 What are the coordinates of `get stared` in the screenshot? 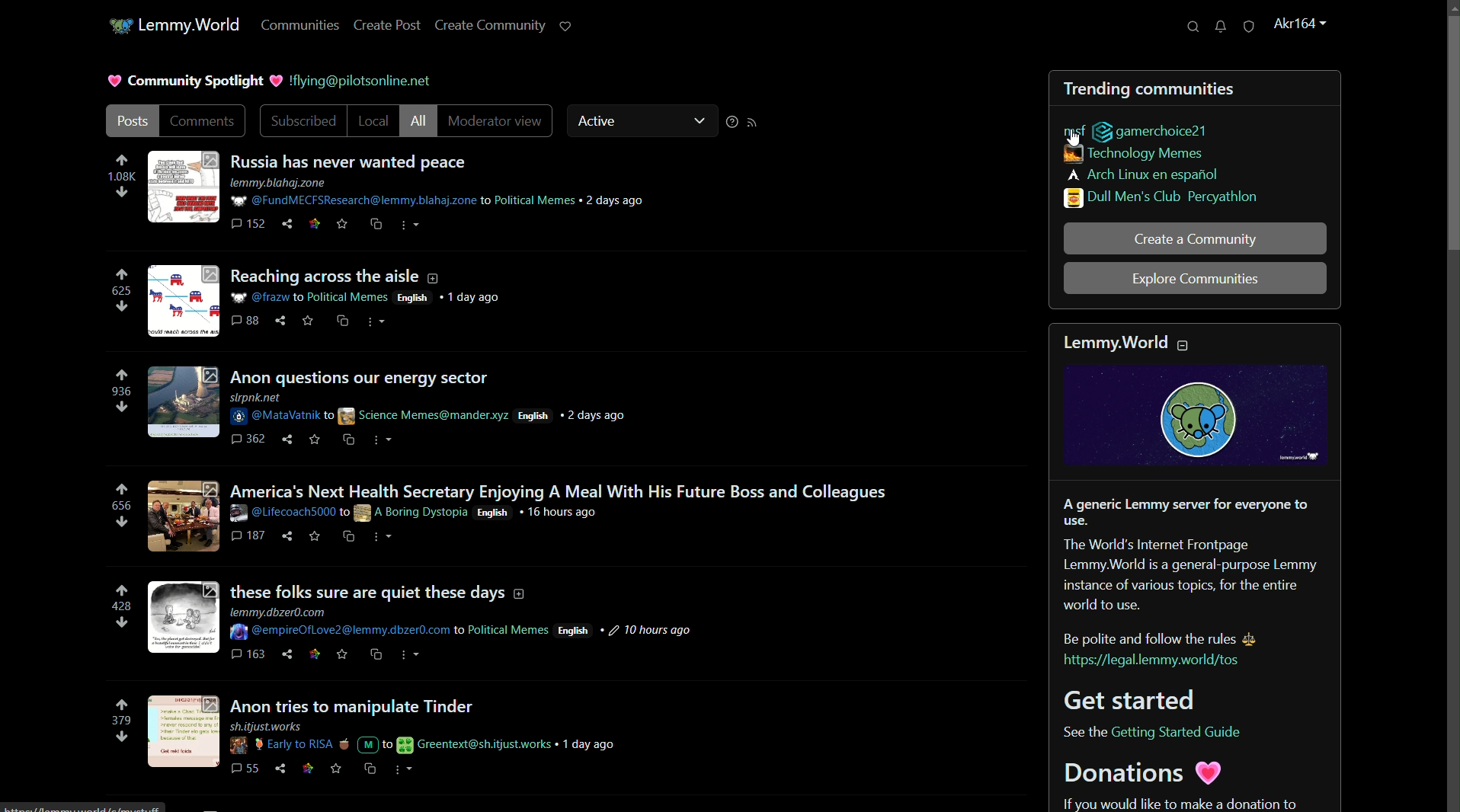 It's located at (1125, 699).